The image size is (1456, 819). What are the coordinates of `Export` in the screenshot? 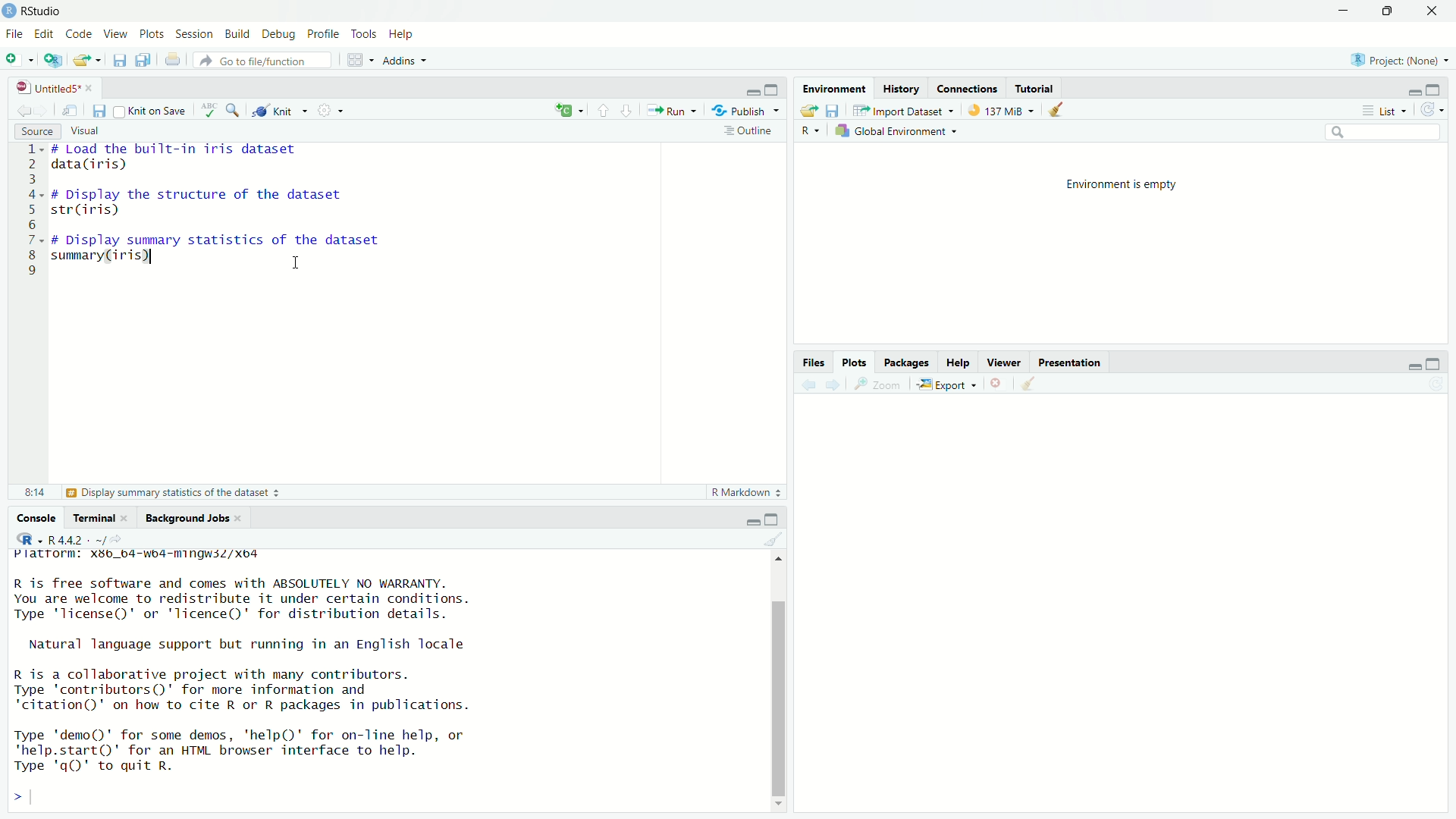 It's located at (944, 384).